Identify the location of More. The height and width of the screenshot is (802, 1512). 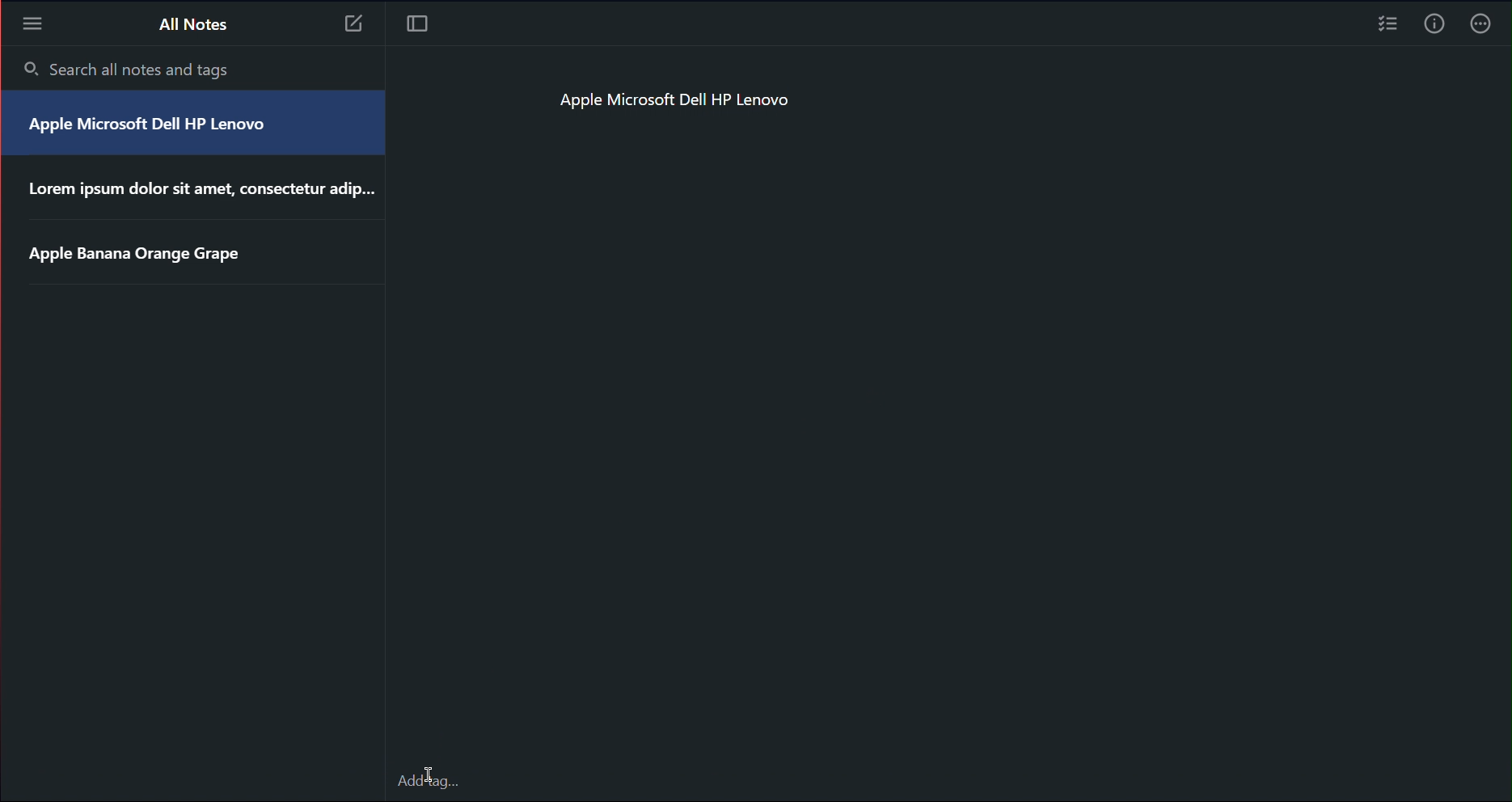
(32, 23).